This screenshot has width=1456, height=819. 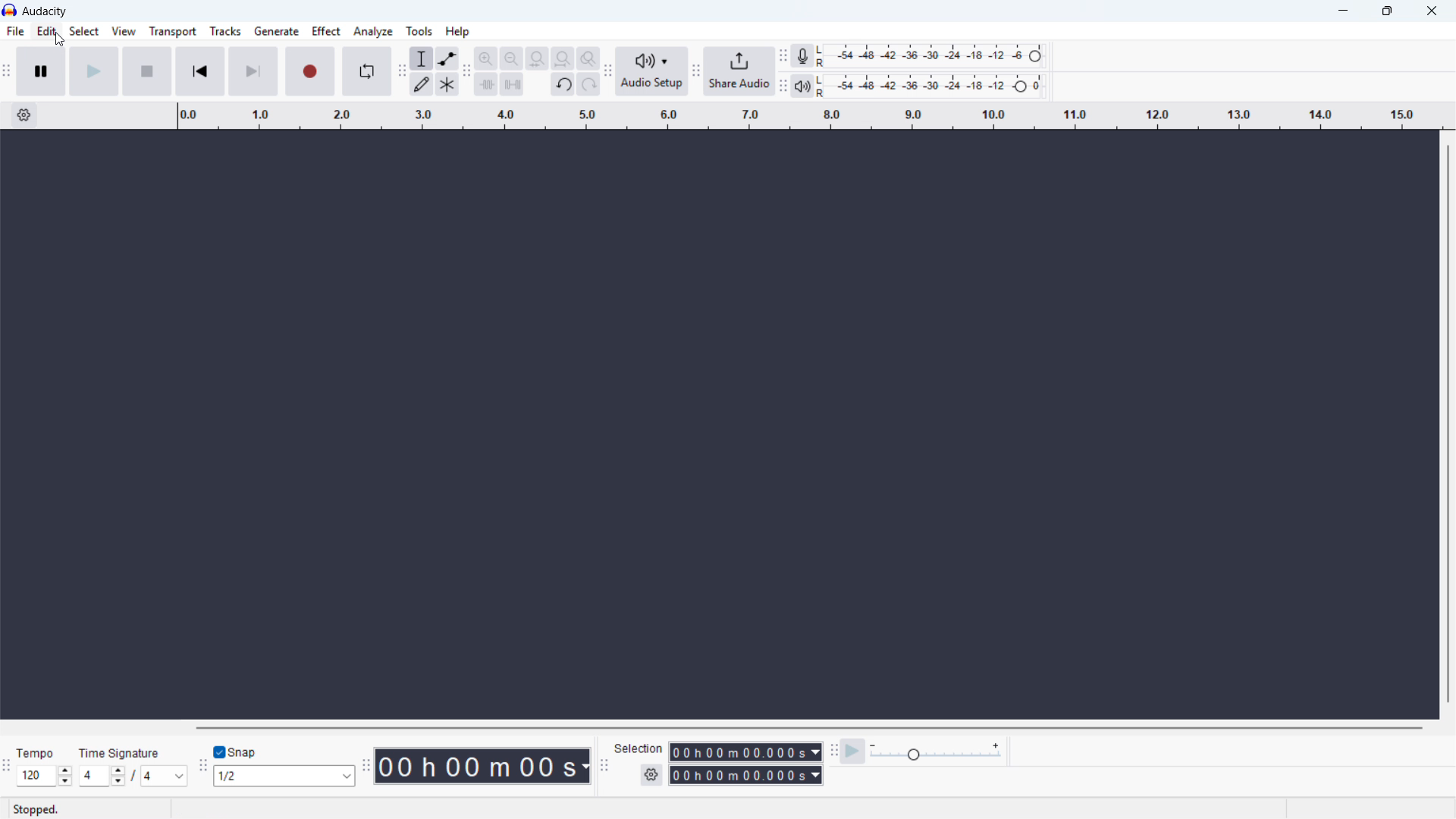 I want to click on close, so click(x=1430, y=11).